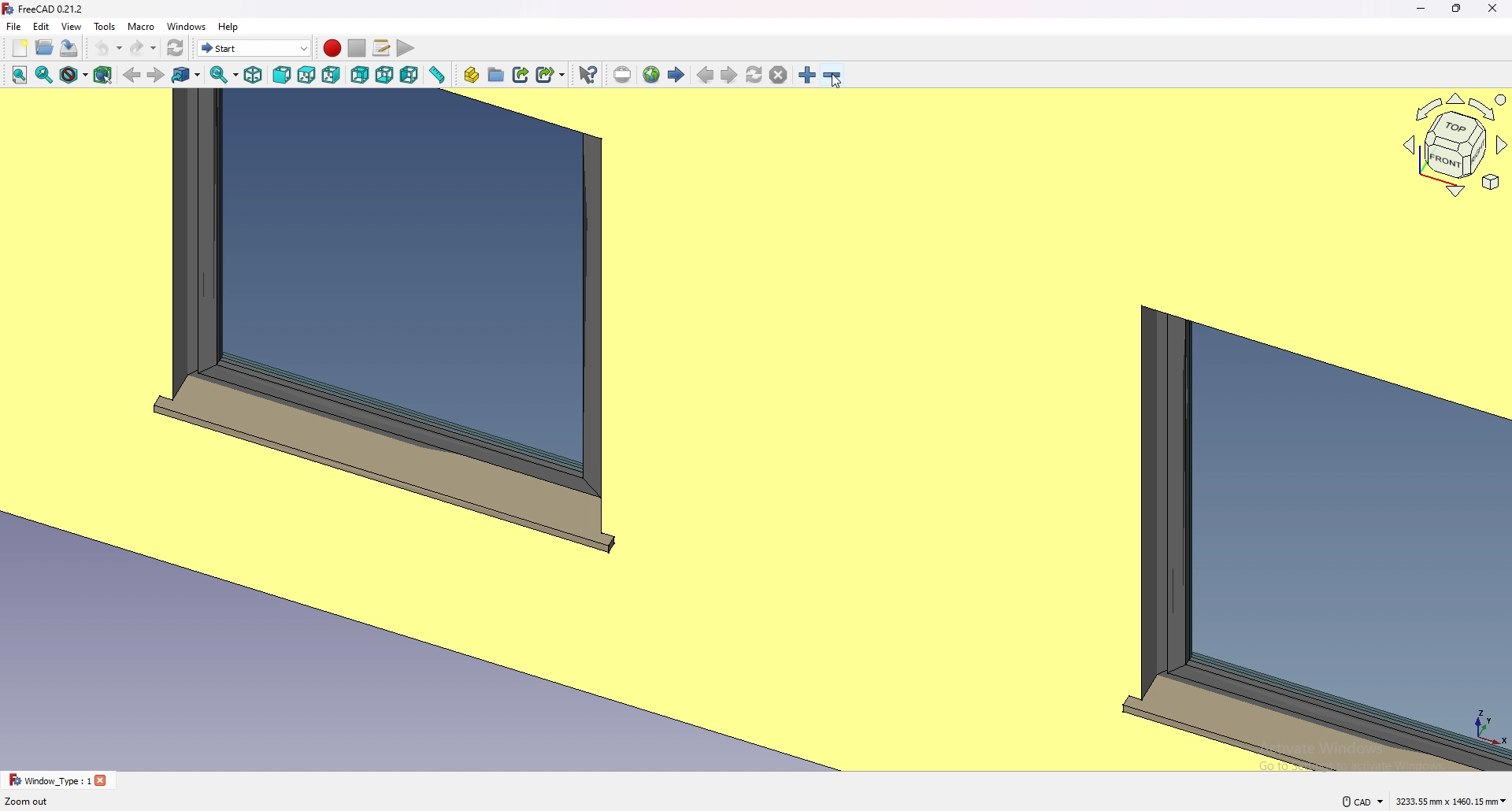 Image resolution: width=1512 pixels, height=811 pixels. Describe the element at coordinates (19, 75) in the screenshot. I see `fit all` at that location.